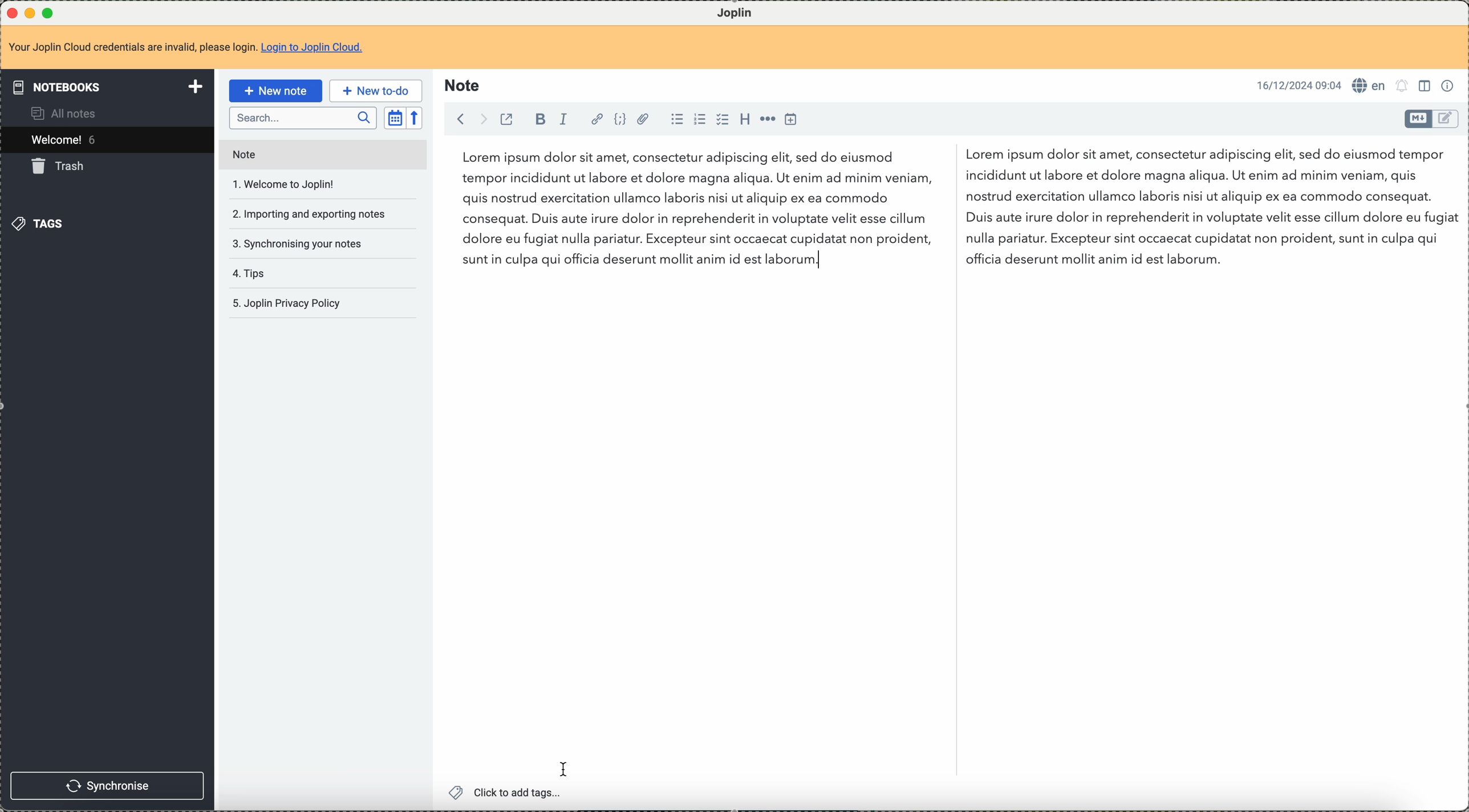 The image size is (1469, 812). I want to click on all notes, so click(70, 112).